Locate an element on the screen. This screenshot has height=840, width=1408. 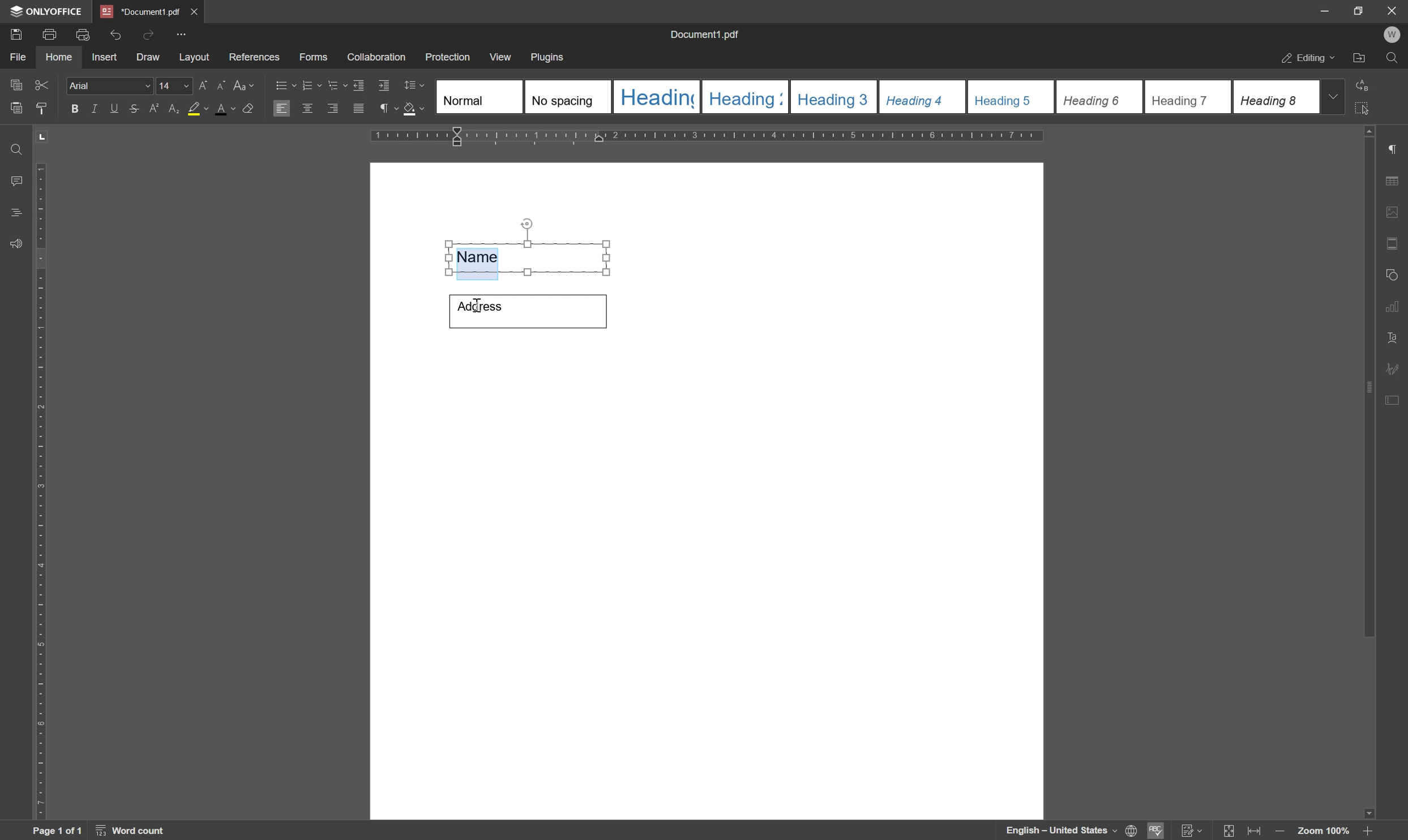
insert is located at coordinates (104, 58).